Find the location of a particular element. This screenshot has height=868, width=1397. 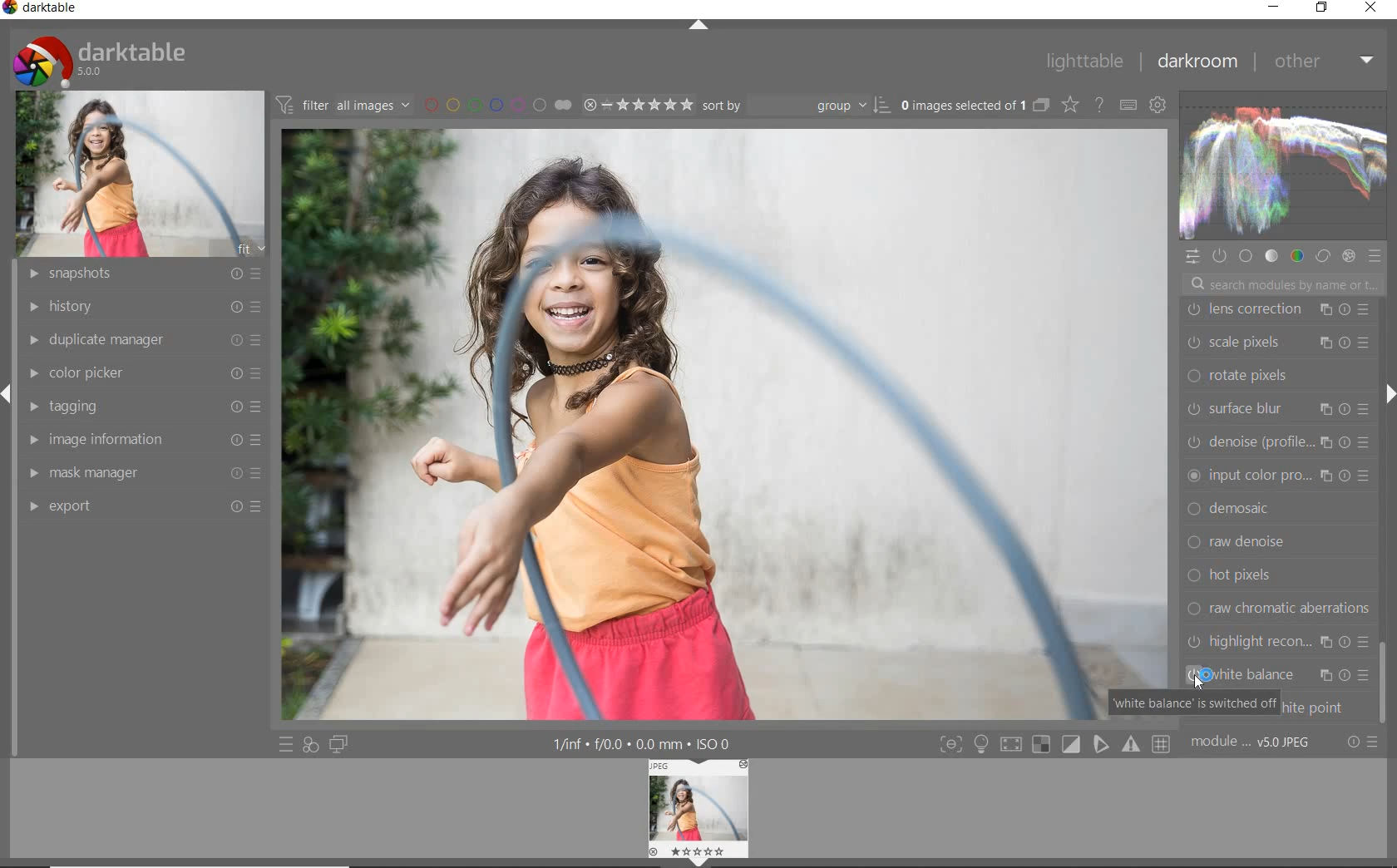

toggle mode  is located at coordinates (1163, 744).